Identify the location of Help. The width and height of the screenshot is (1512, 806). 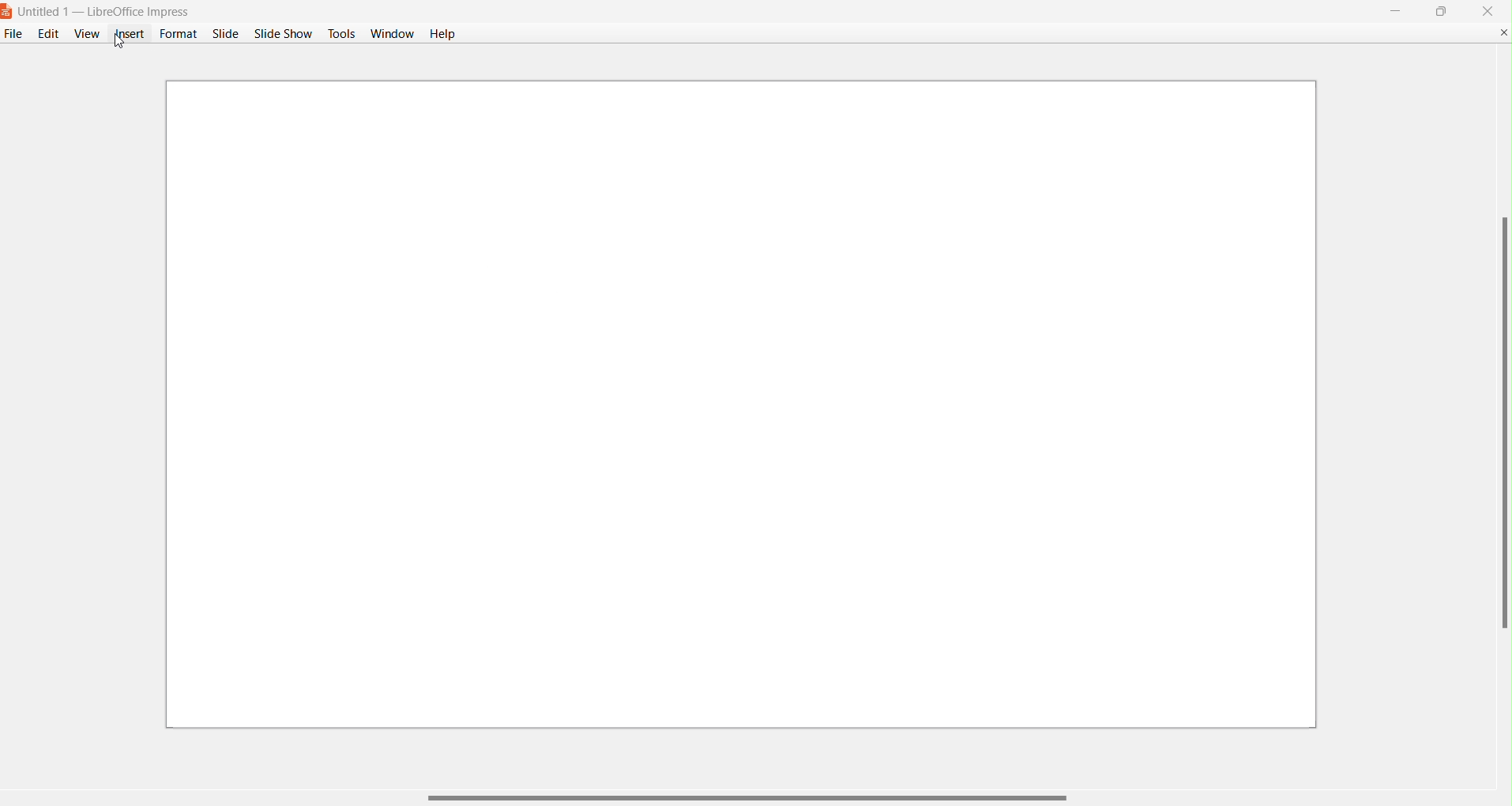
(444, 34).